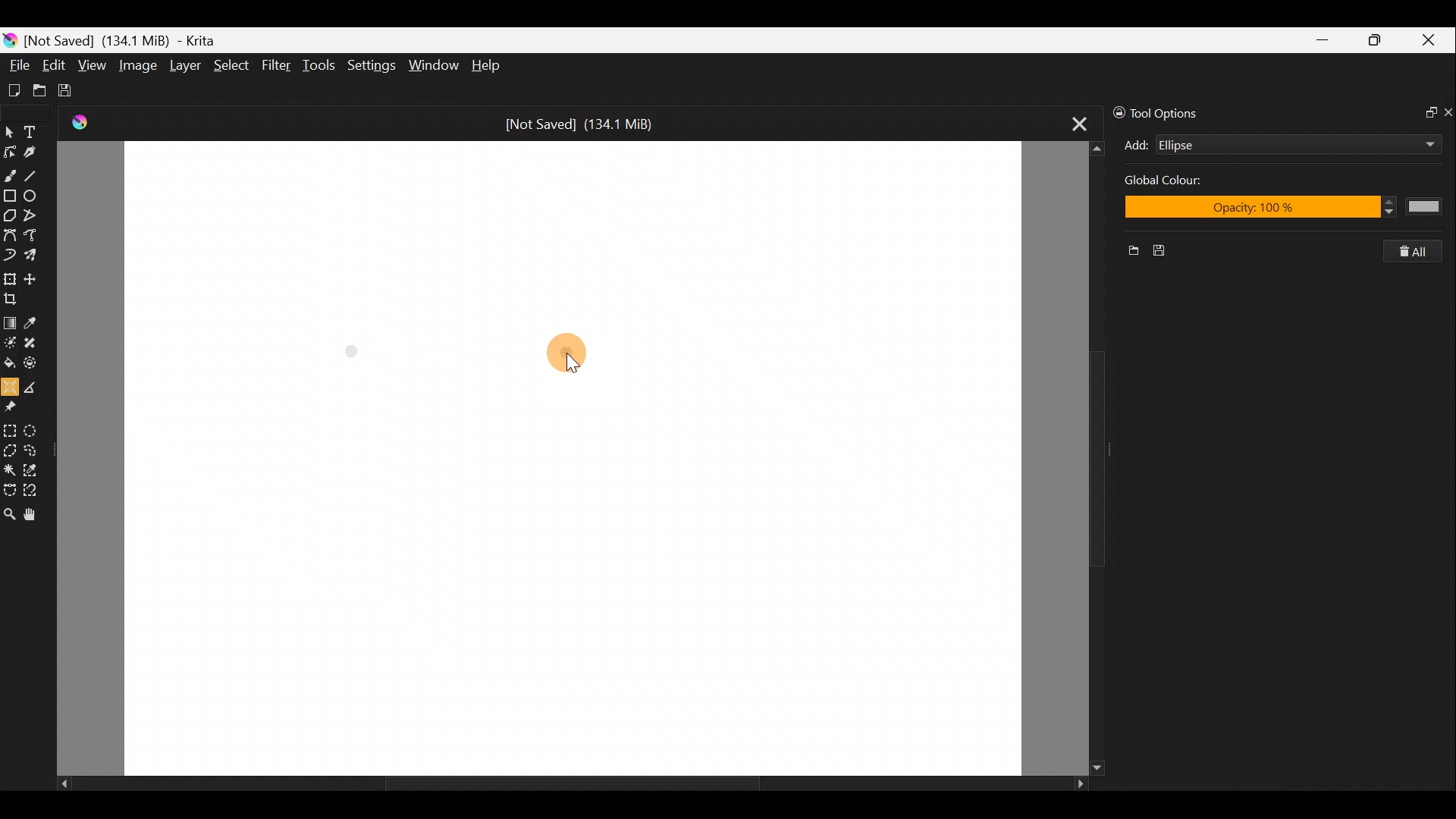  What do you see at coordinates (1182, 183) in the screenshot?
I see `Global color` at bounding box center [1182, 183].